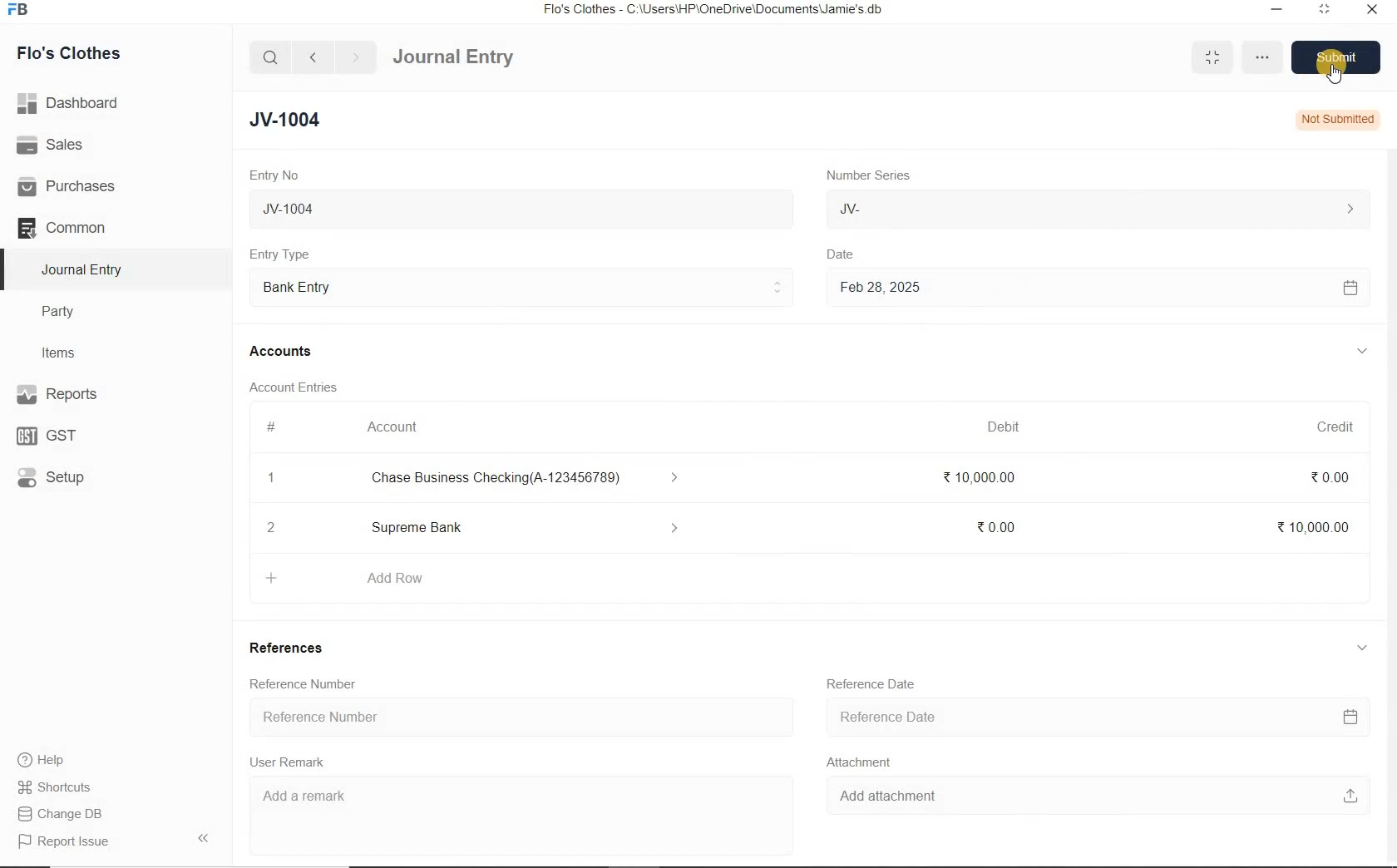 The image size is (1397, 868). I want to click on Items, so click(67, 351).